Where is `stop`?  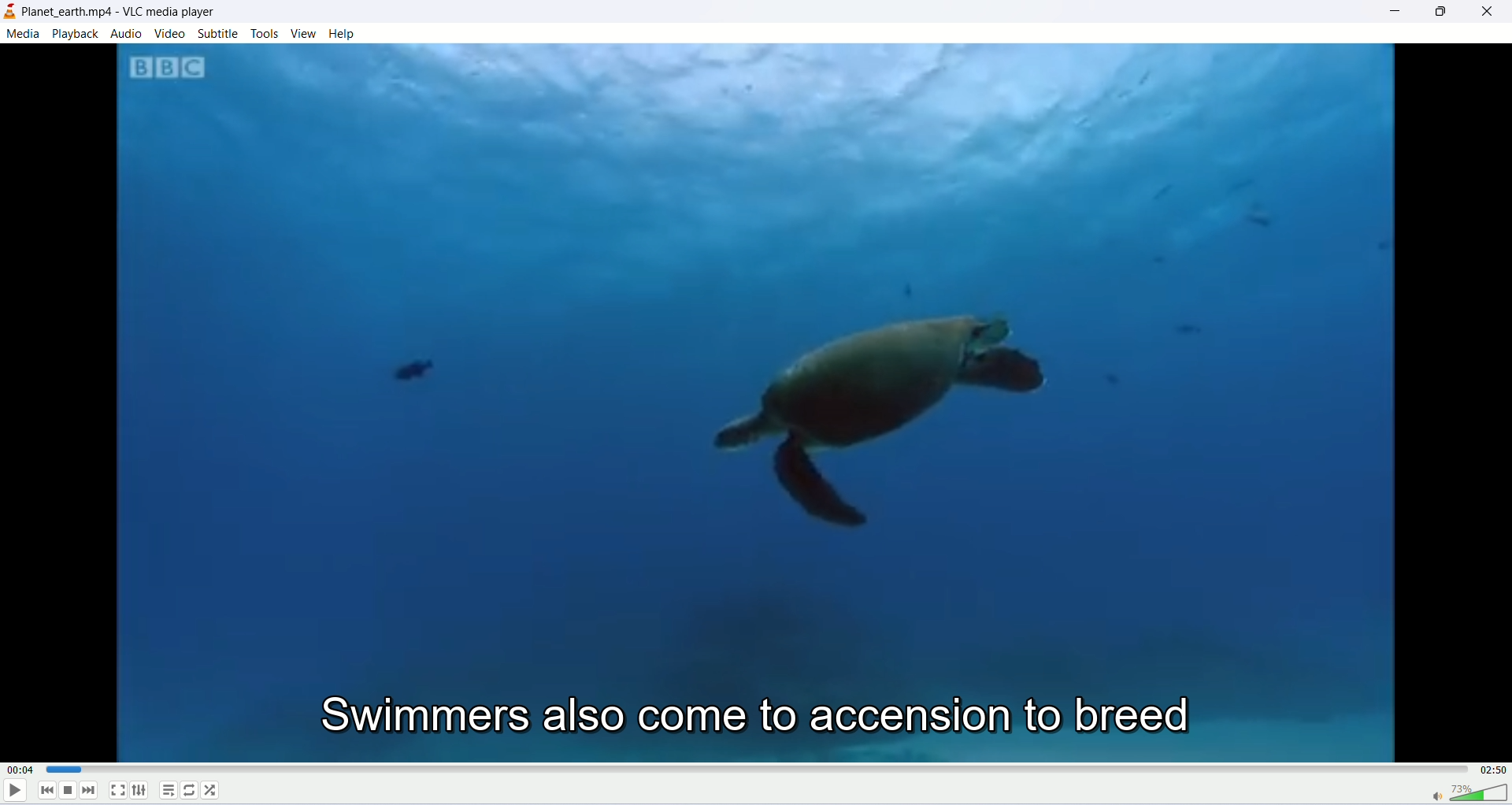
stop is located at coordinates (69, 793).